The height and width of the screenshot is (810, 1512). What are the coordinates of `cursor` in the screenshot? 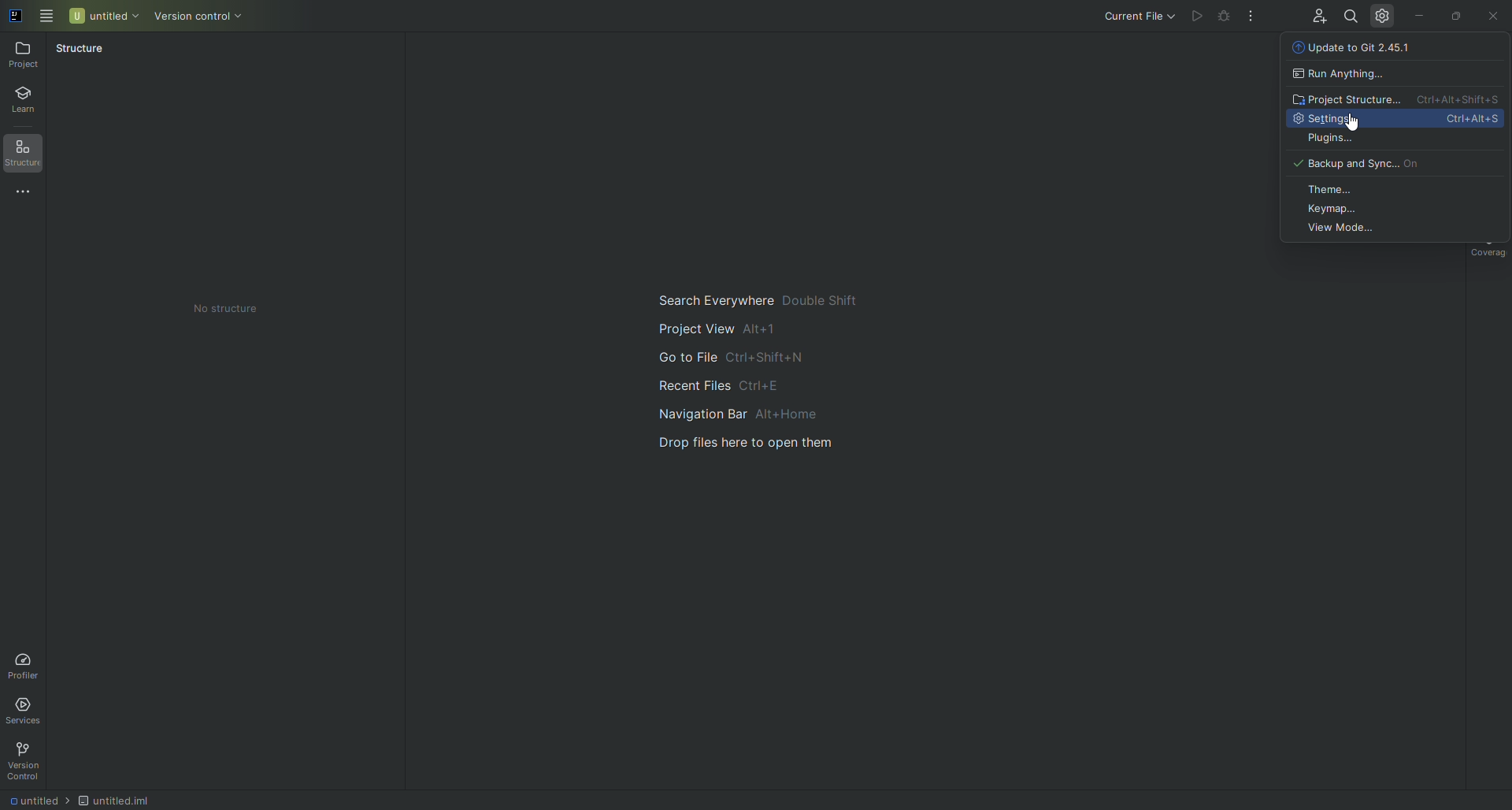 It's located at (1355, 124).